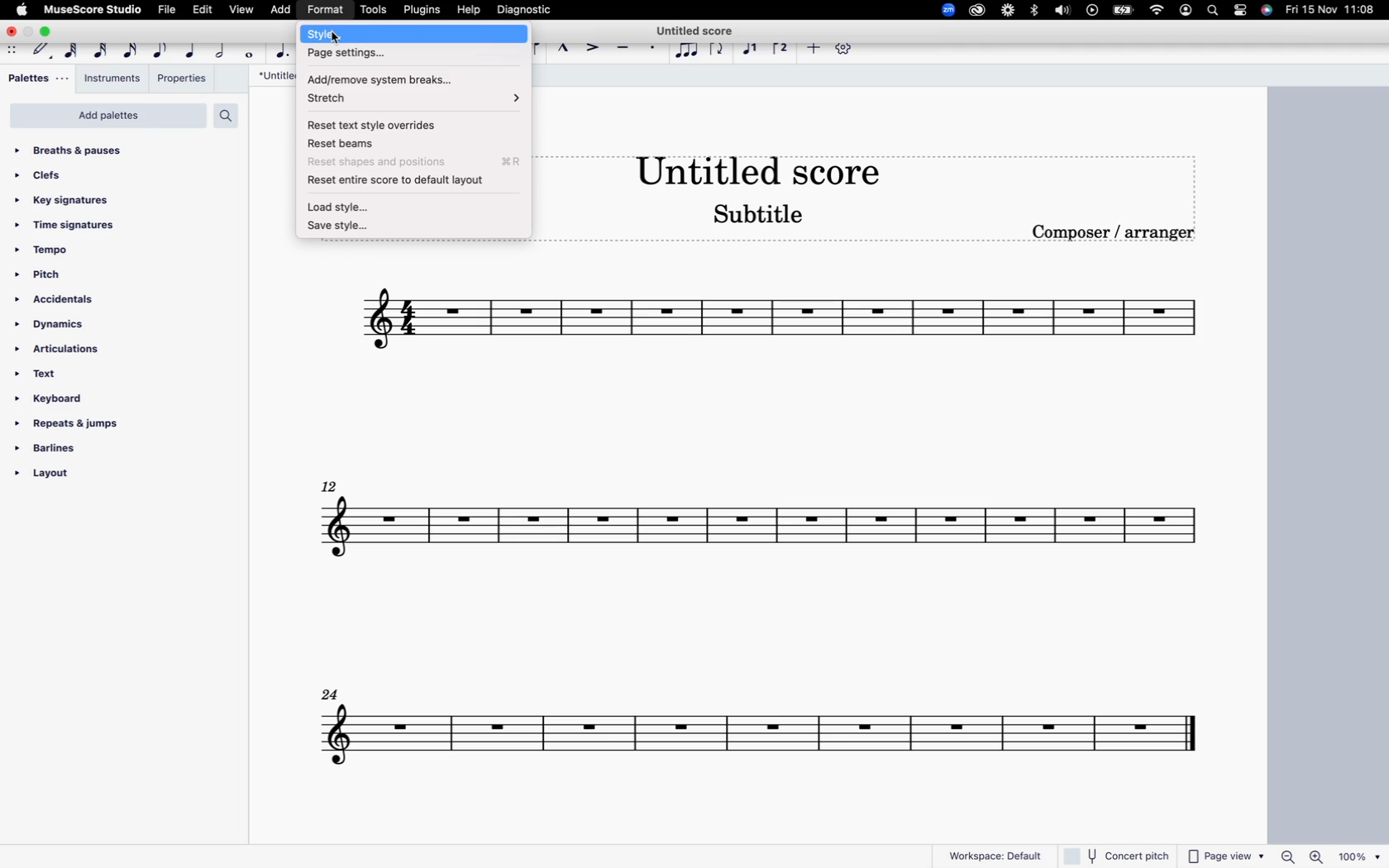 Image resolution: width=1389 pixels, height=868 pixels. I want to click on search, so click(1215, 12).